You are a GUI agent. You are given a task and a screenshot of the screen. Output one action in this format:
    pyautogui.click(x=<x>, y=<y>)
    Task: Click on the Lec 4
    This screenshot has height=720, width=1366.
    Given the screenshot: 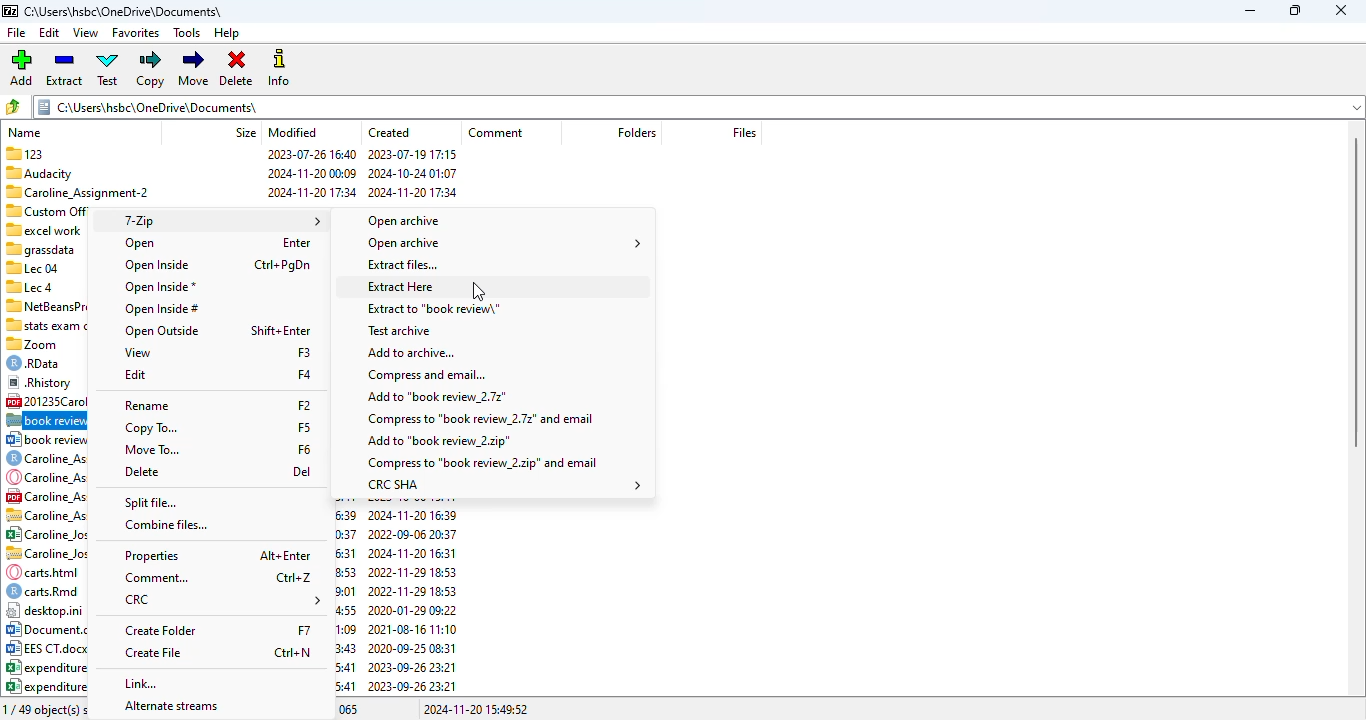 What is the action you would take?
    pyautogui.click(x=32, y=286)
    